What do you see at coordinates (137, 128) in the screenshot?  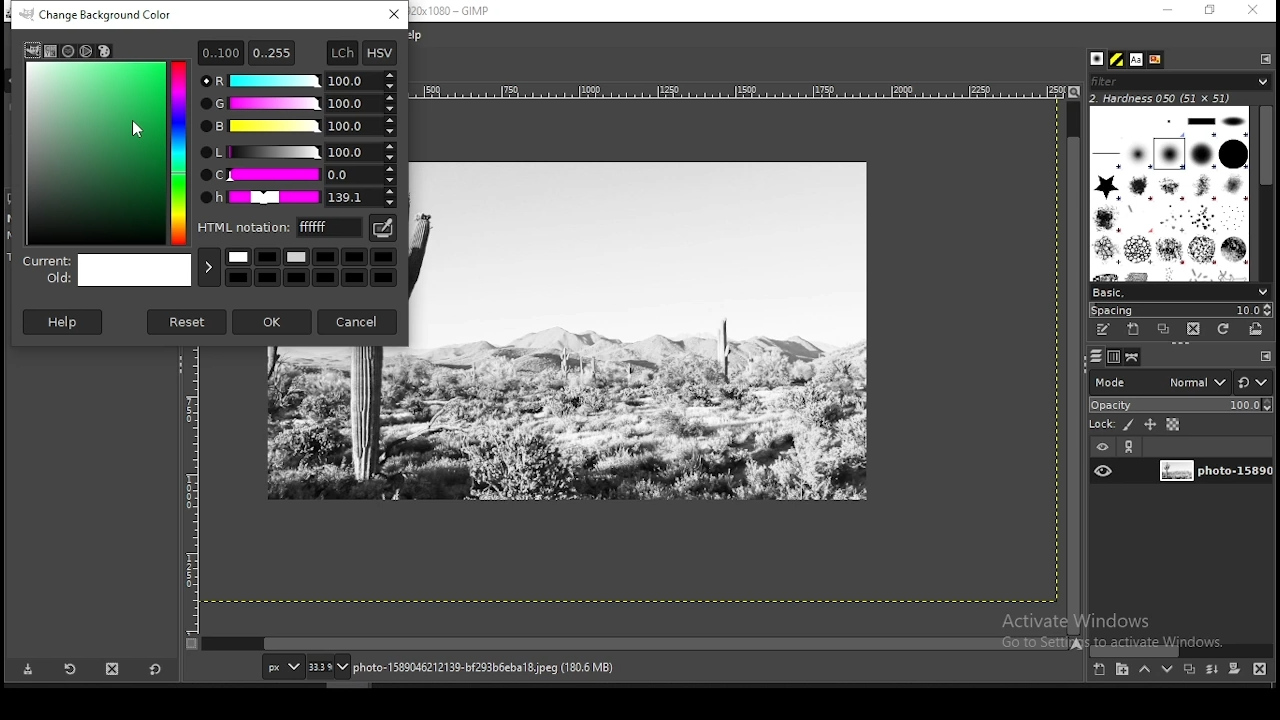 I see `mouse pointer` at bounding box center [137, 128].